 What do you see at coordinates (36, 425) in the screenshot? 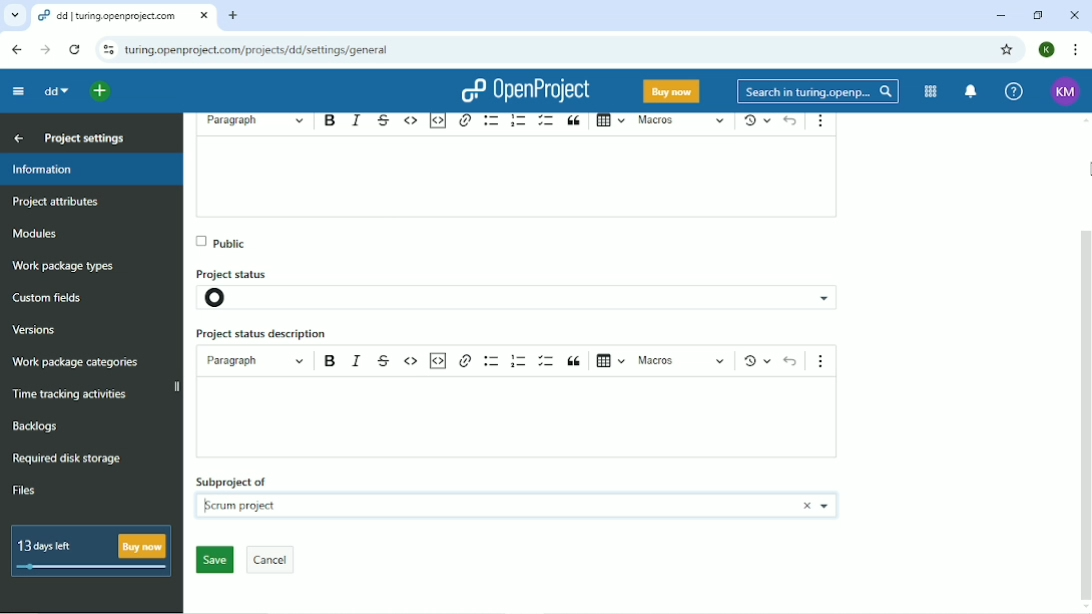
I see `Backlogs` at bounding box center [36, 425].